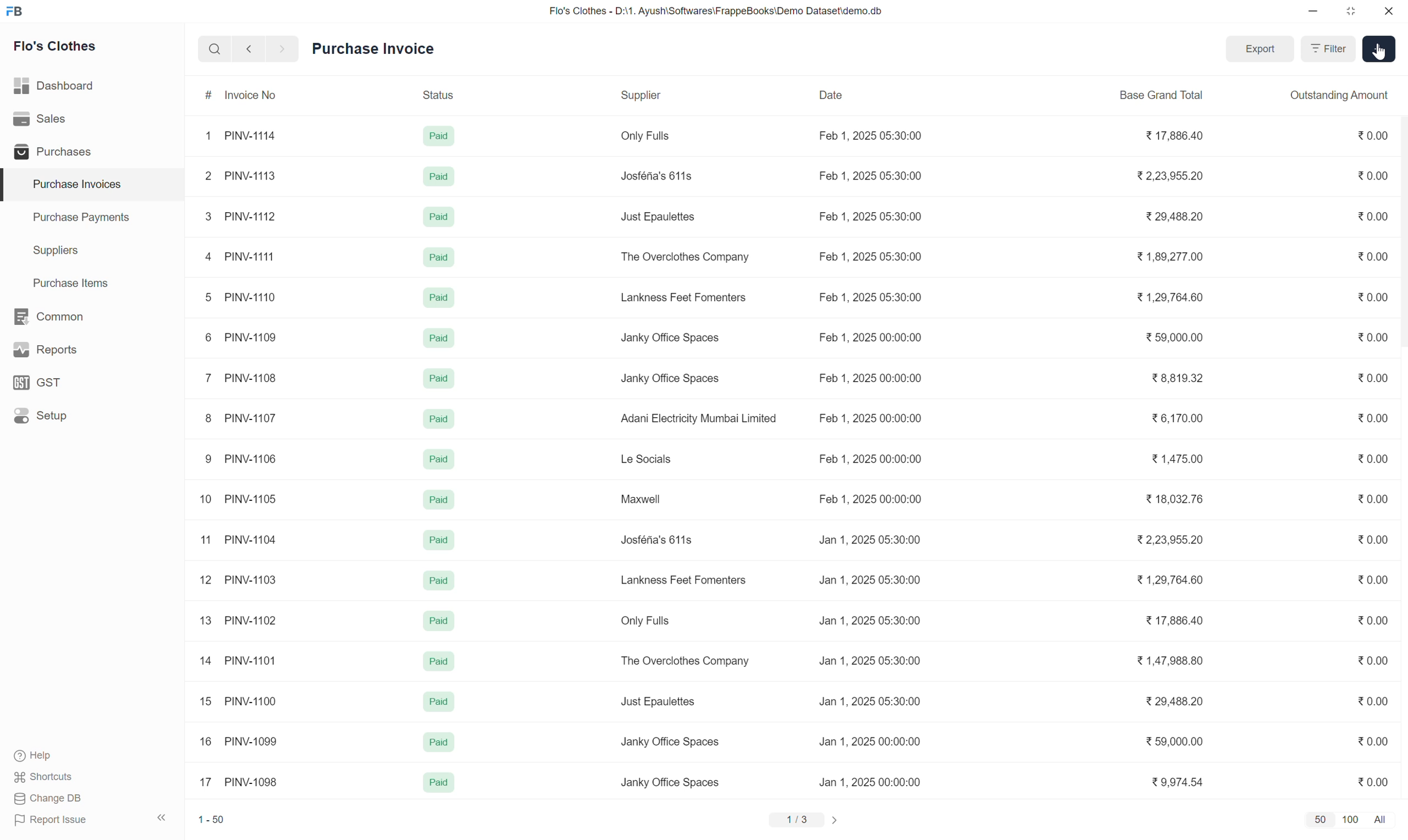  Describe the element at coordinates (438, 499) in the screenshot. I see `Paid` at that location.